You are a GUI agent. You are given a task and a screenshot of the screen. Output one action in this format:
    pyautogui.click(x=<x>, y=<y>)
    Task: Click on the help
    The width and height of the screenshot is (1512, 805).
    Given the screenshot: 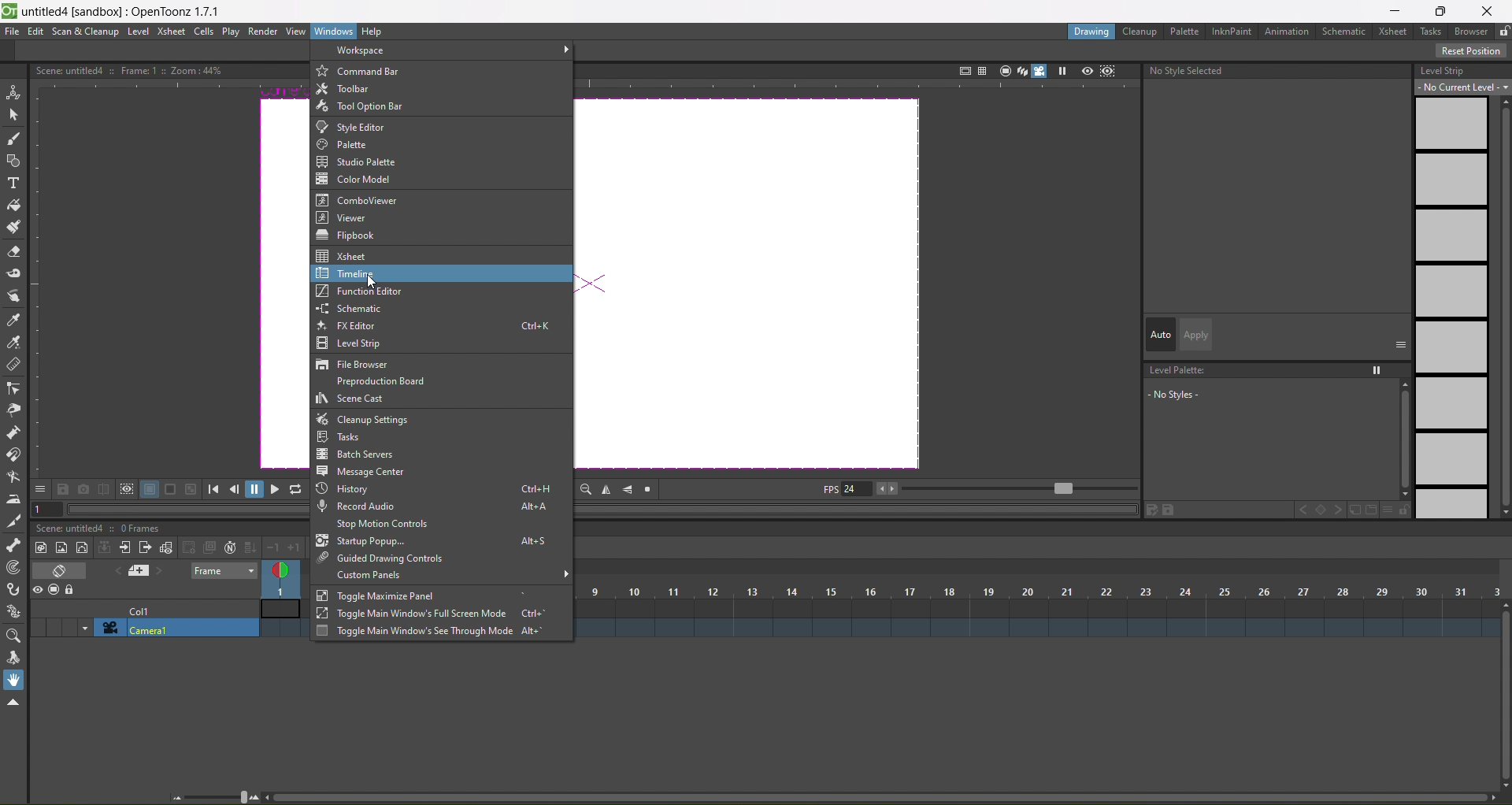 What is the action you would take?
    pyautogui.click(x=372, y=32)
    